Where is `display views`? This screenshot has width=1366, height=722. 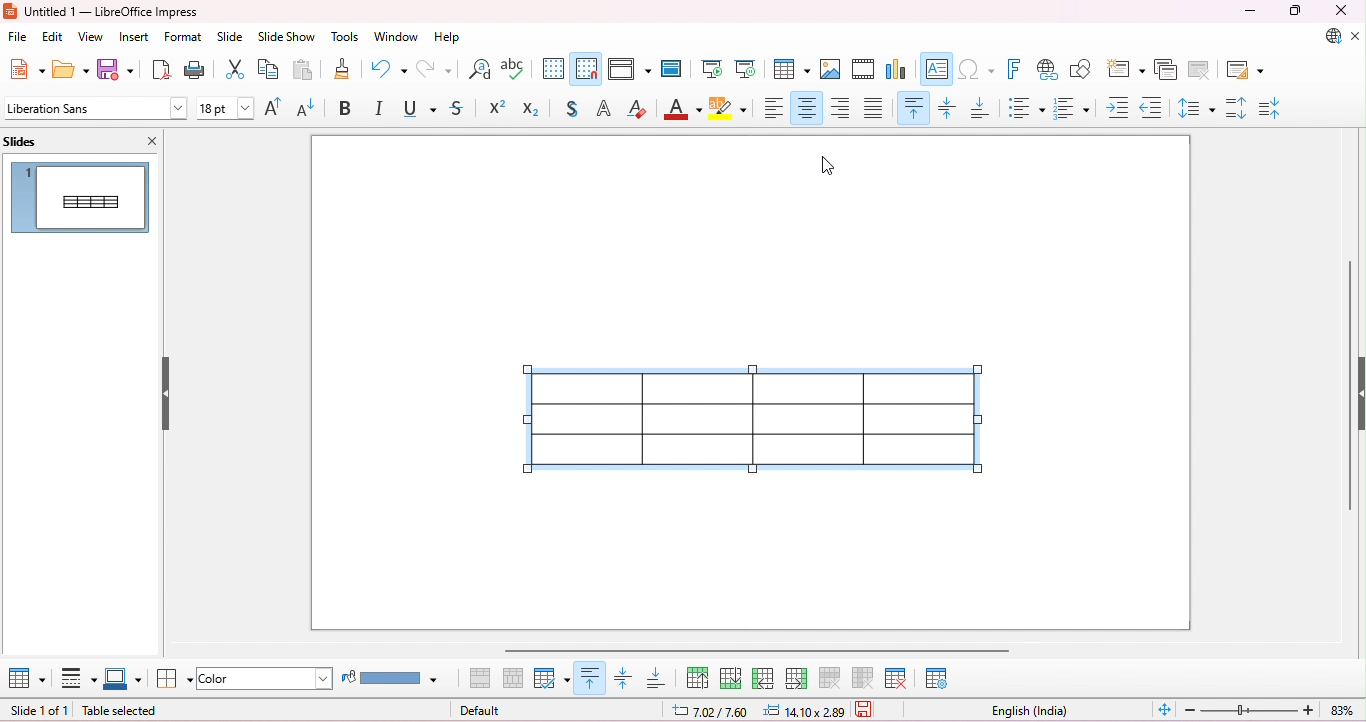
display views is located at coordinates (632, 67).